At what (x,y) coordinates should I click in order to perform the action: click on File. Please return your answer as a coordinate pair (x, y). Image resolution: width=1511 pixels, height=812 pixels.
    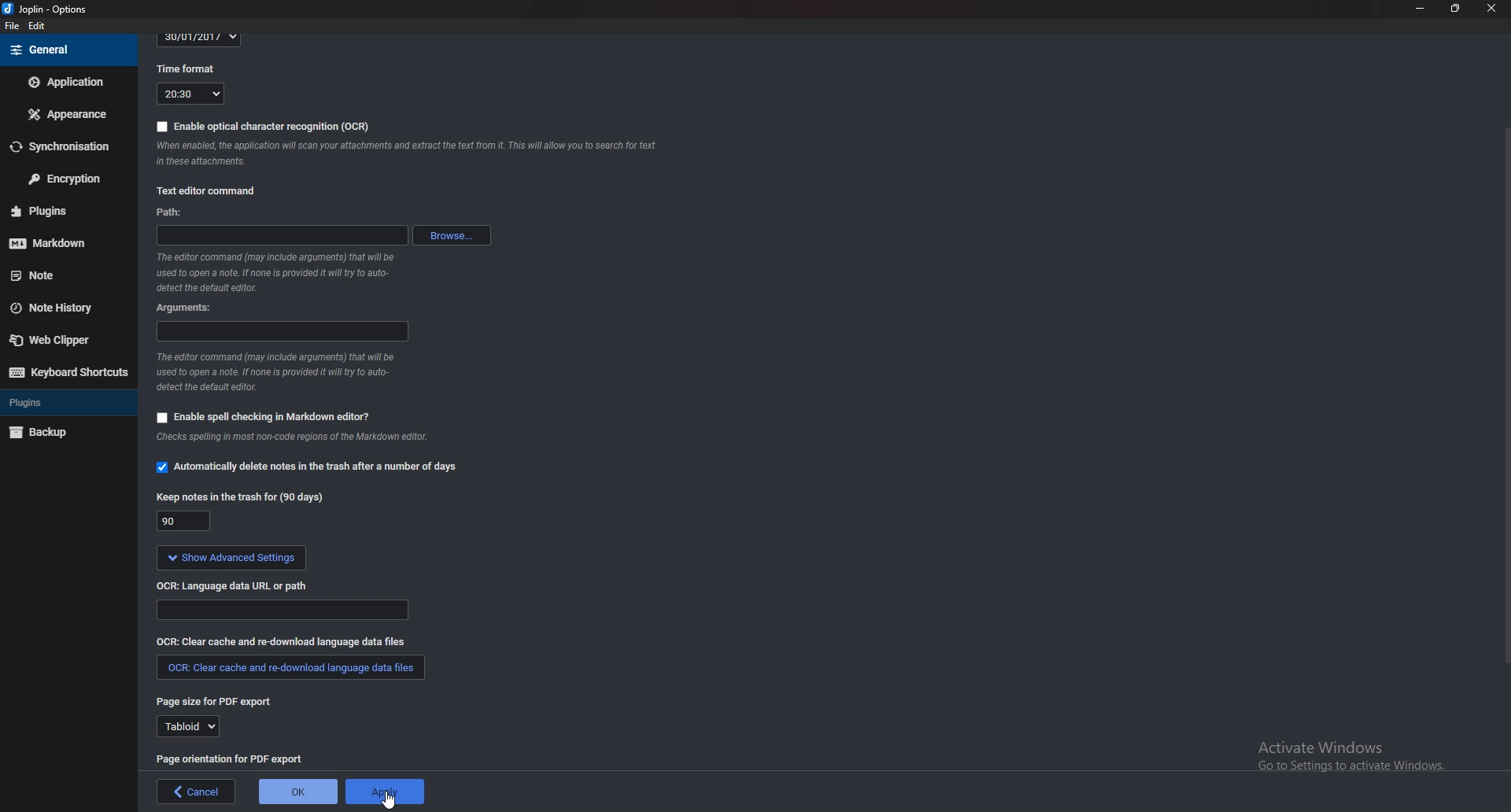
    Looking at the image, I should click on (13, 26).